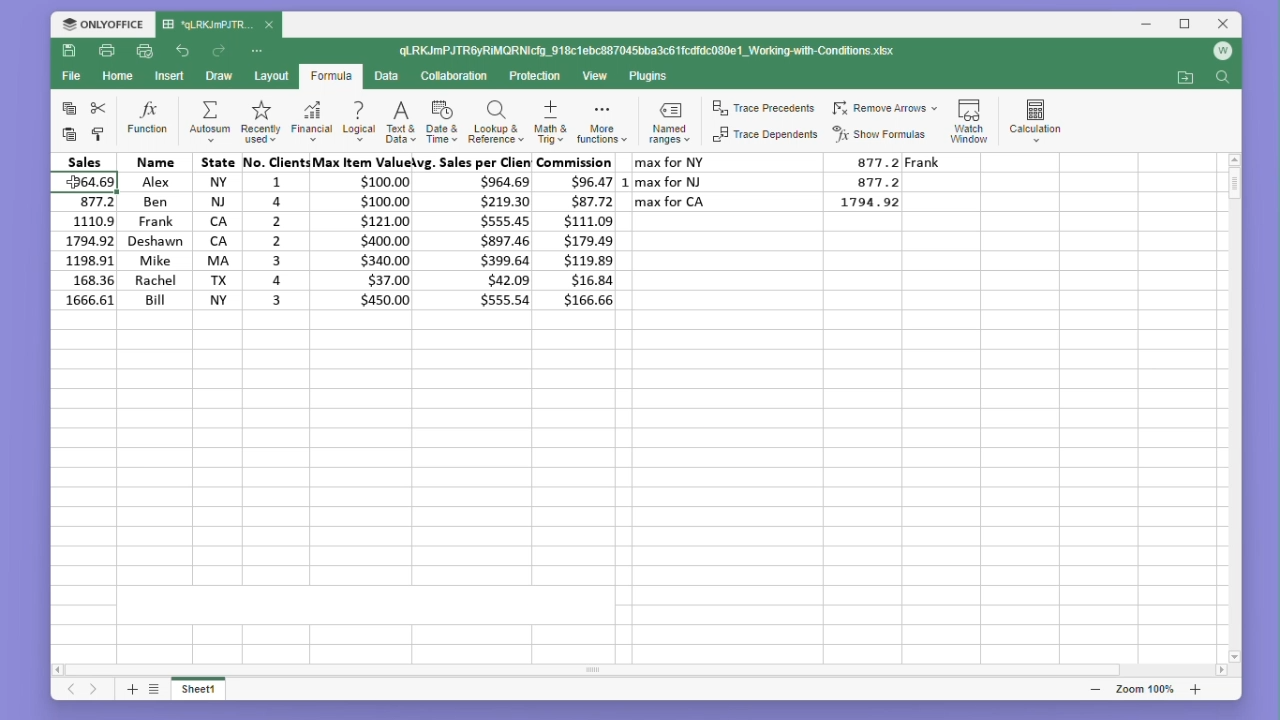 This screenshot has height=720, width=1280. What do you see at coordinates (72, 181) in the screenshot?
I see `cursor` at bounding box center [72, 181].